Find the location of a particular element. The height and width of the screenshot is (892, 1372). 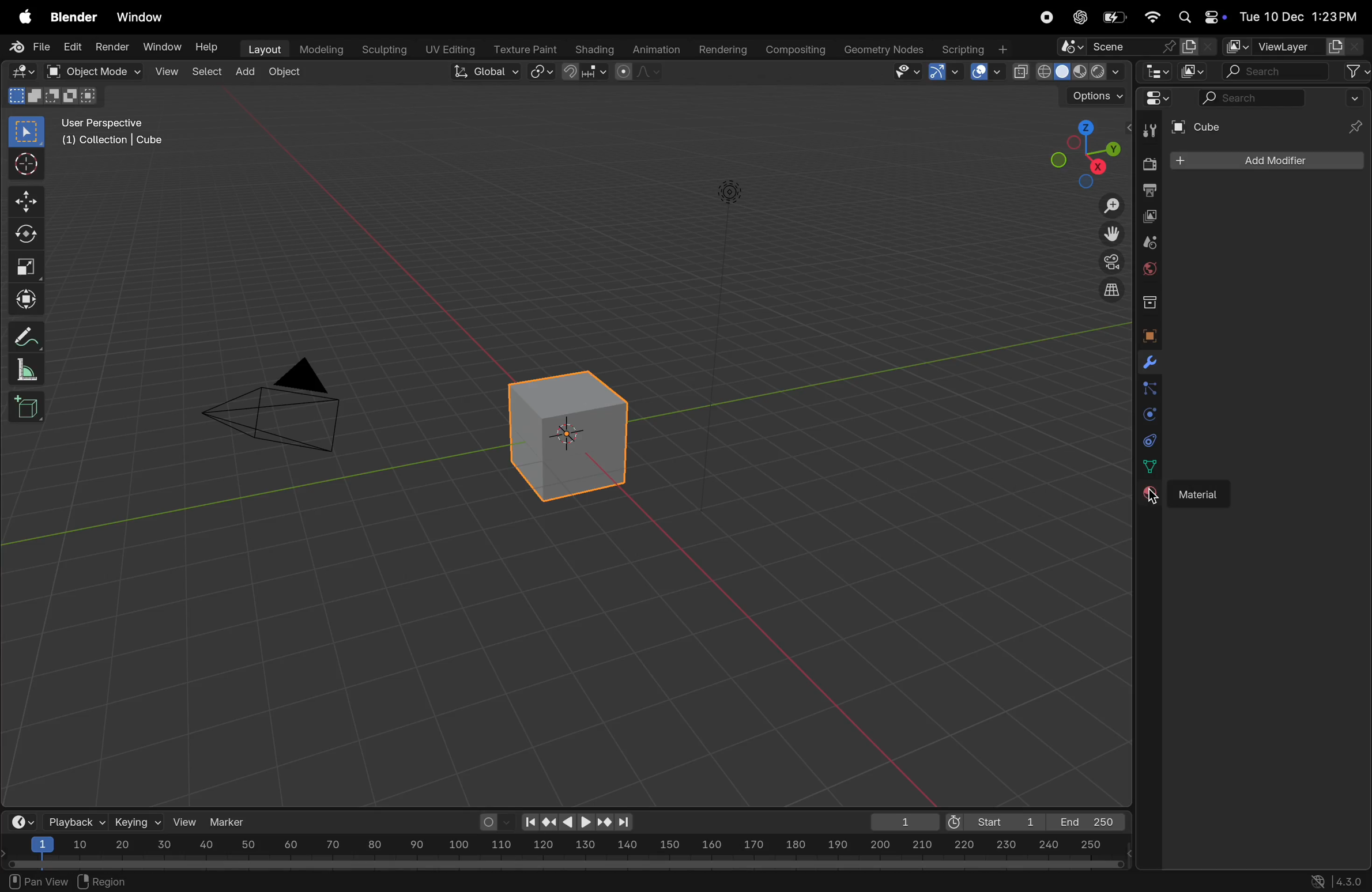

Global is located at coordinates (482, 71).